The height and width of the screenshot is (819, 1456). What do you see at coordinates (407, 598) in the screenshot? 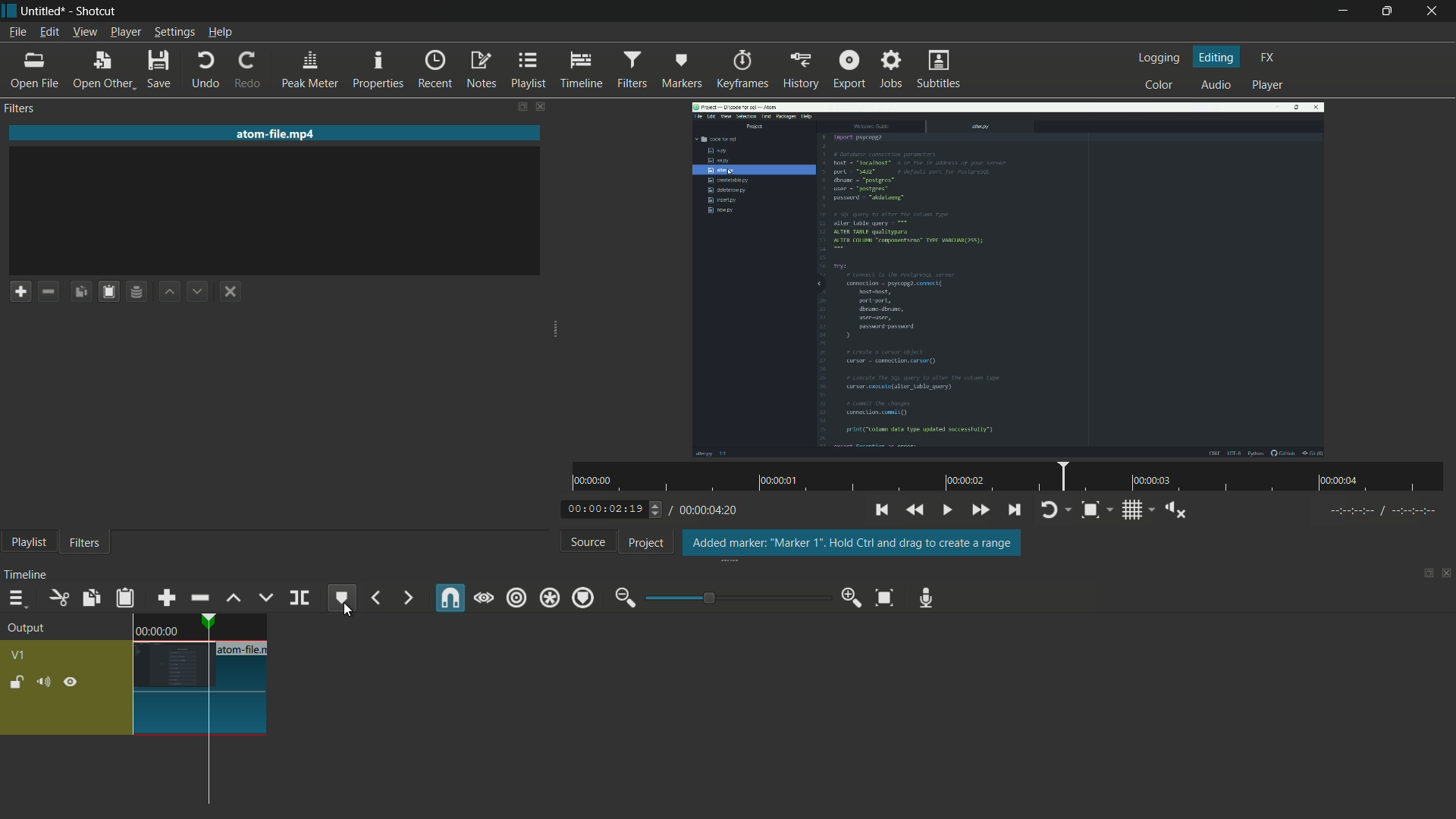
I see `next marker` at bounding box center [407, 598].